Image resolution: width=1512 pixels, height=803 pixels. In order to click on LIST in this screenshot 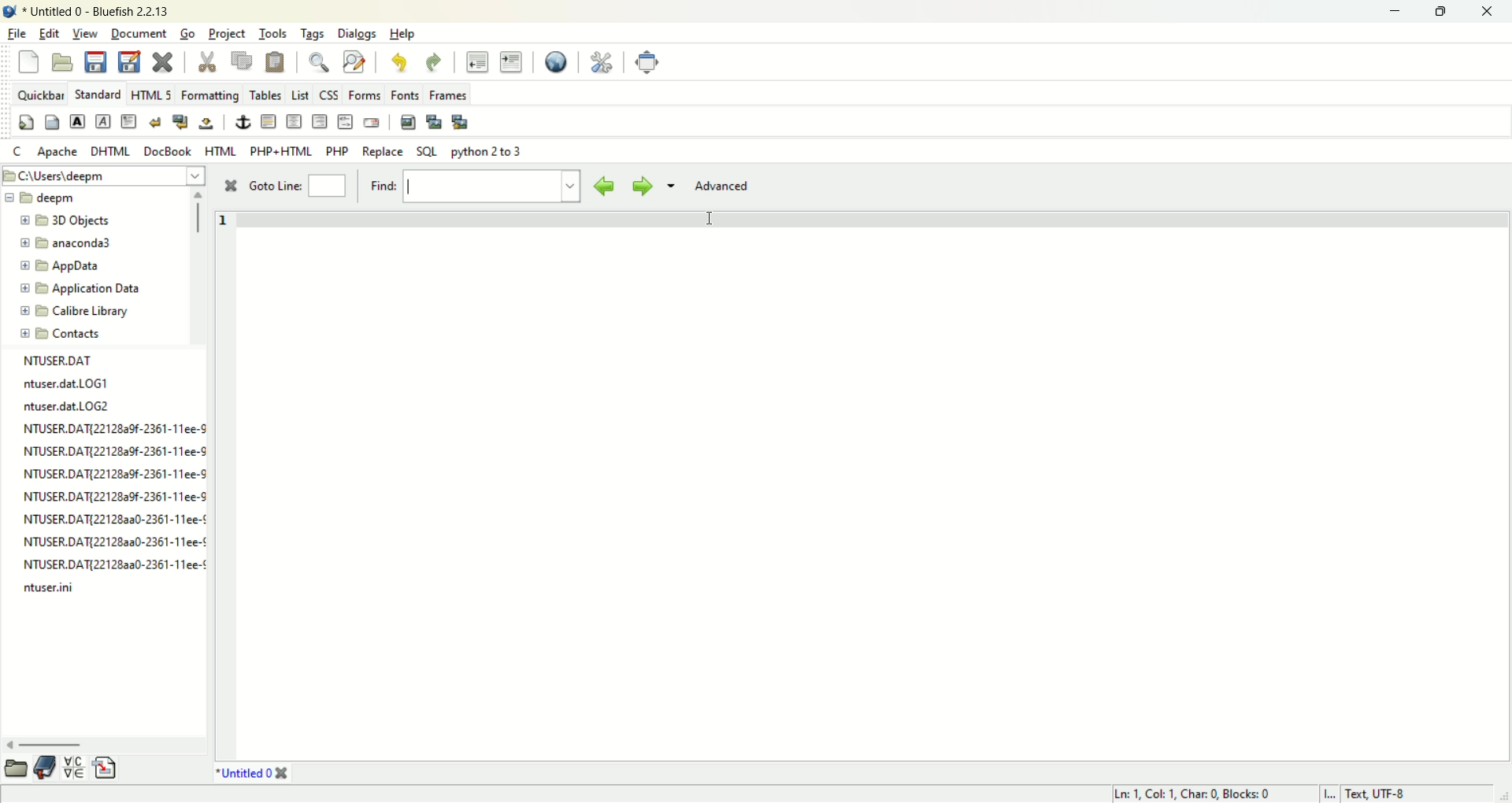, I will do `click(298, 94)`.